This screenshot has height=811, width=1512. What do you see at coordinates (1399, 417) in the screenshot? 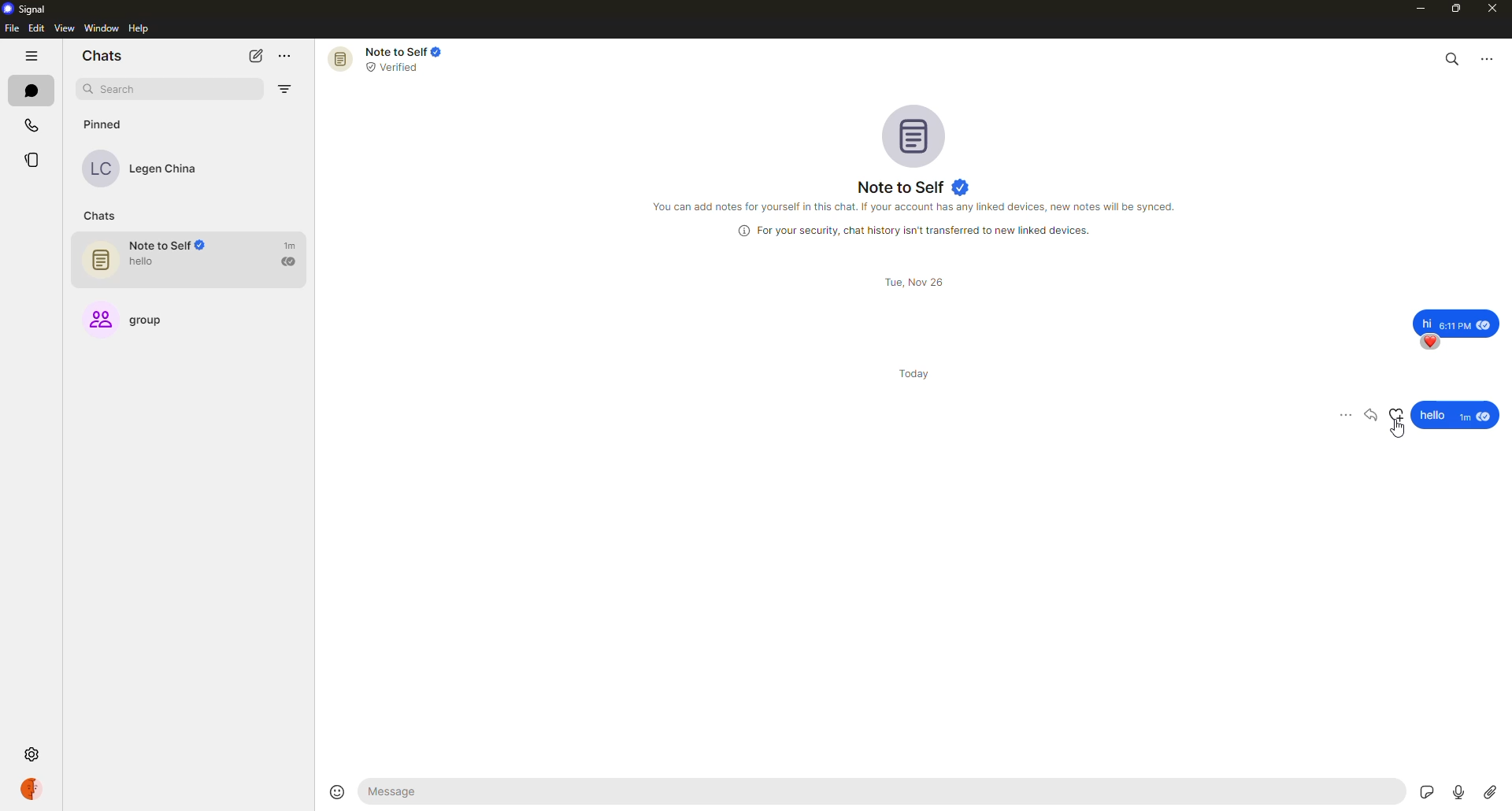
I see `reaction` at bounding box center [1399, 417].